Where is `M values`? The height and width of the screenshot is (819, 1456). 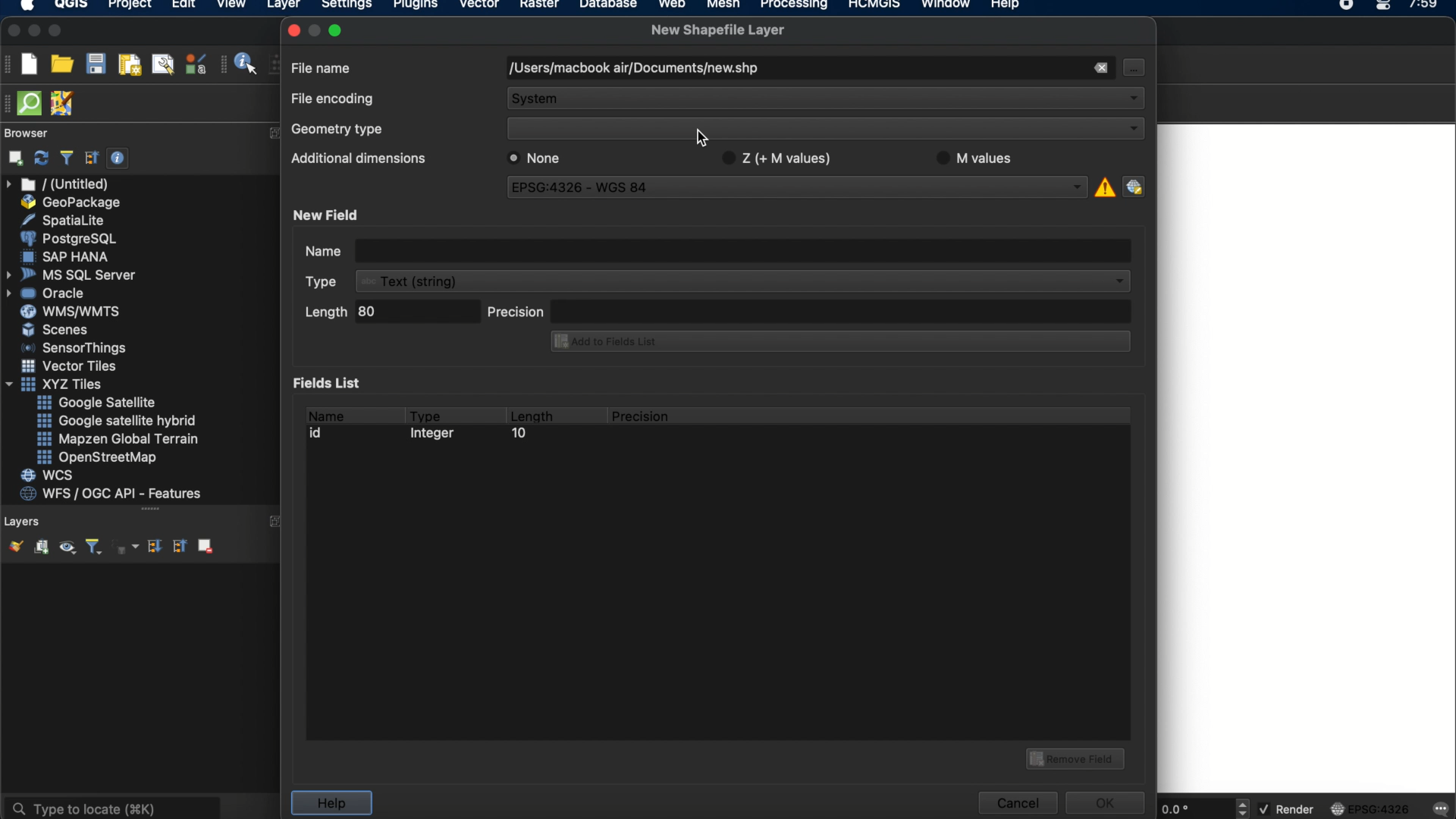
M values is located at coordinates (975, 156).